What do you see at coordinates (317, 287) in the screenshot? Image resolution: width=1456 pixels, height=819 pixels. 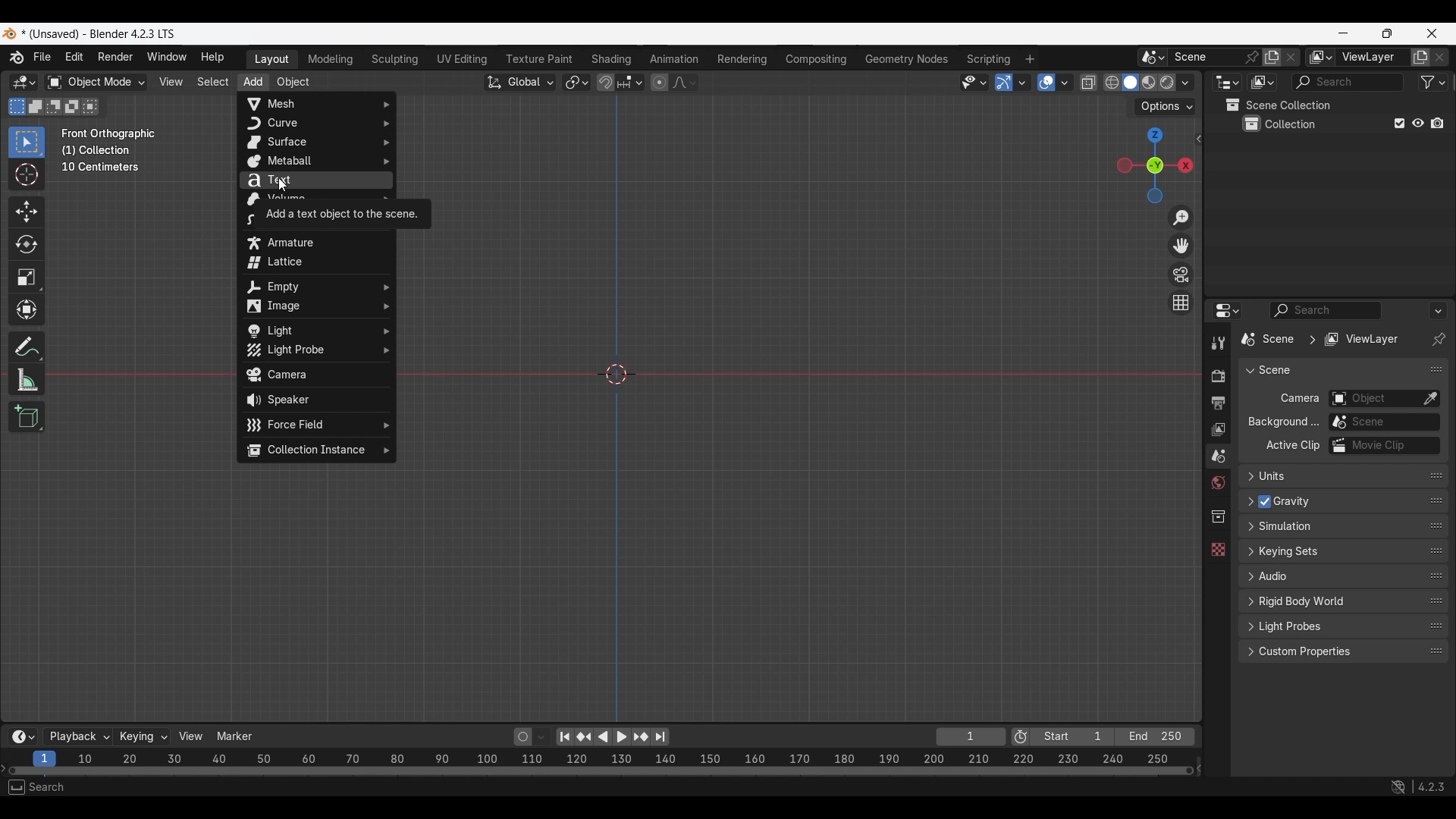 I see `Empty options` at bounding box center [317, 287].